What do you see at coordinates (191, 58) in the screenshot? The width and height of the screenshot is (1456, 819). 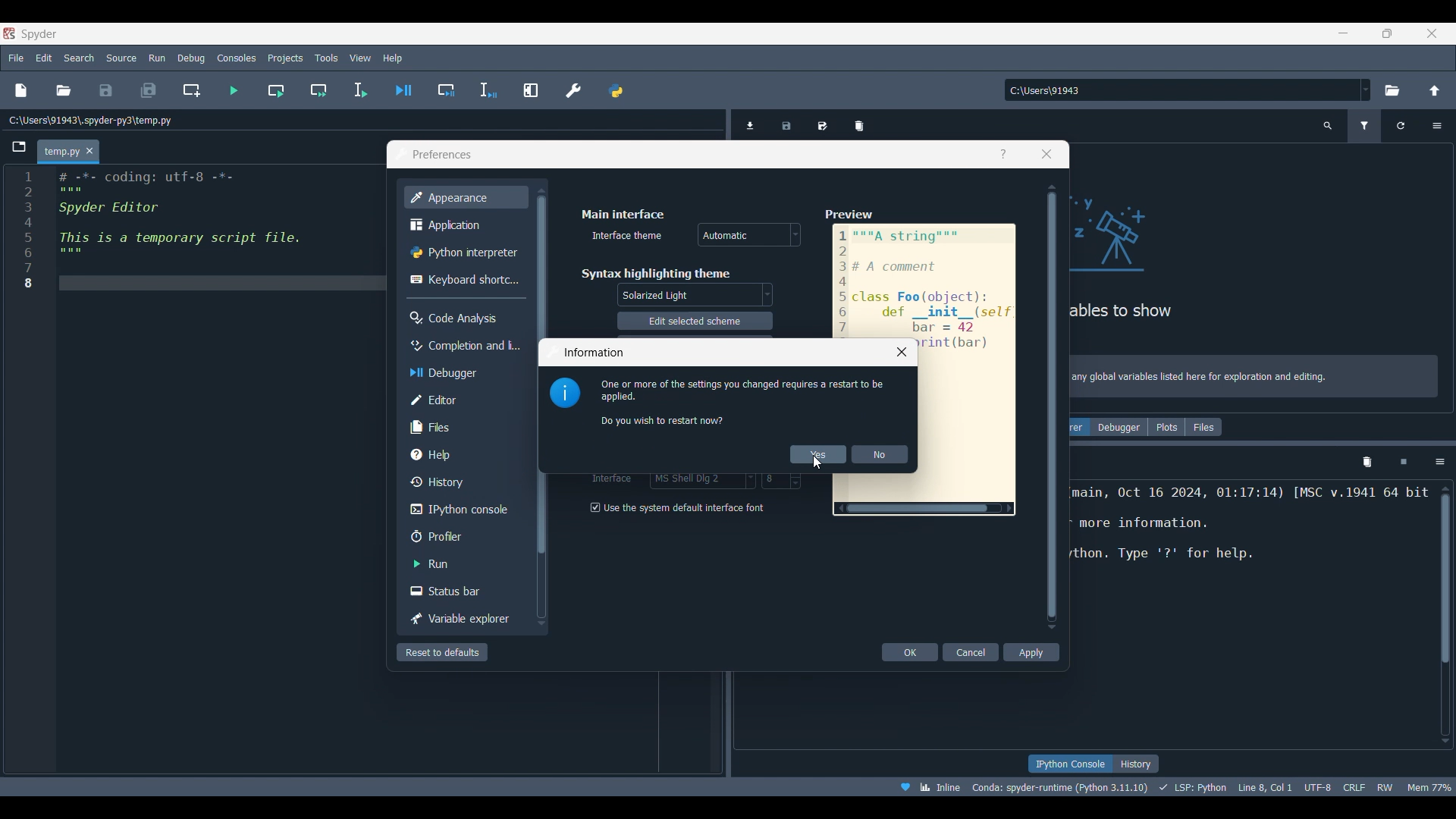 I see `Debug menu` at bounding box center [191, 58].